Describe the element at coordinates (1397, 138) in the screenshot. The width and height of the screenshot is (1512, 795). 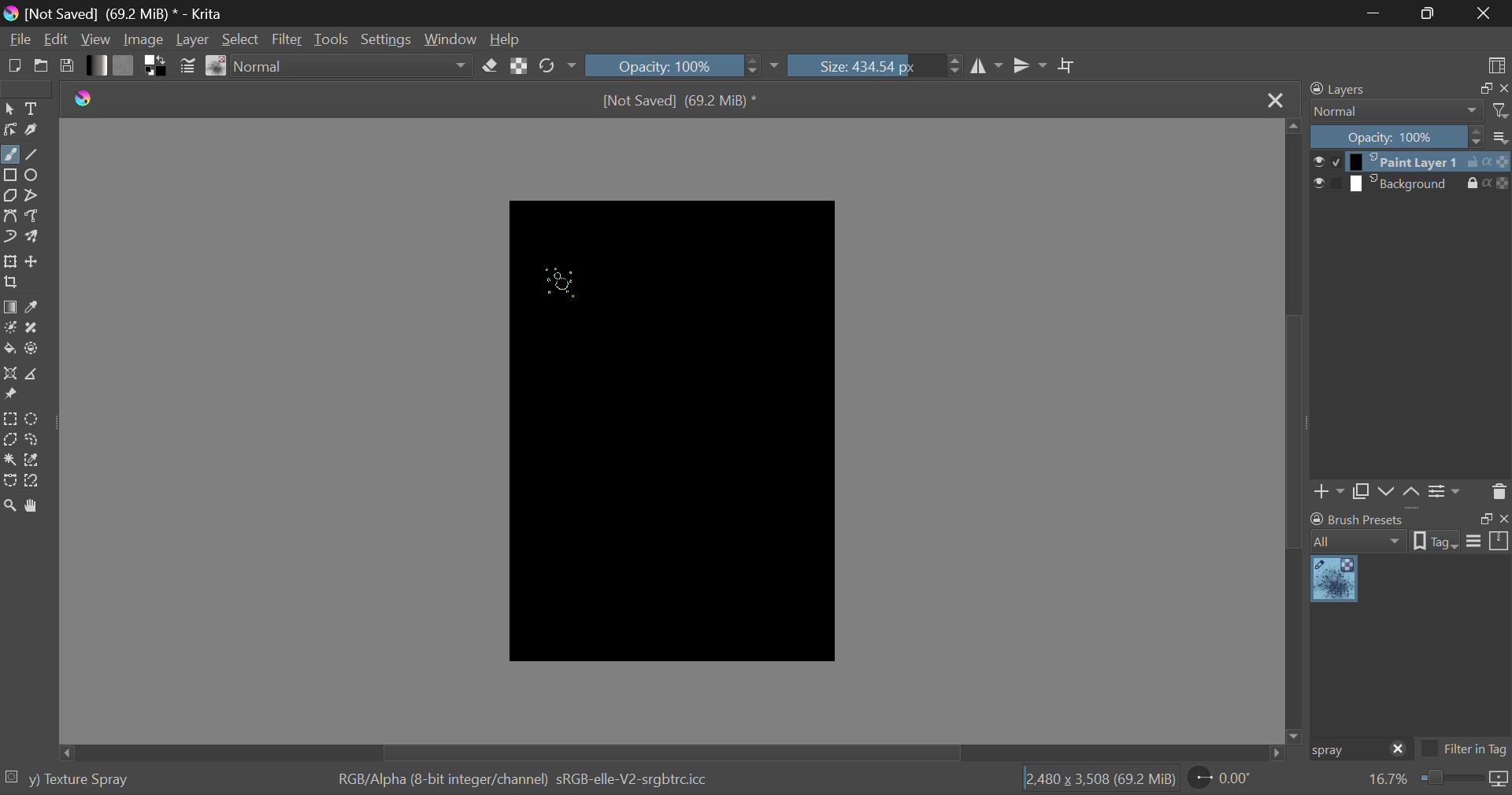
I see `Opacity: 100%` at that location.